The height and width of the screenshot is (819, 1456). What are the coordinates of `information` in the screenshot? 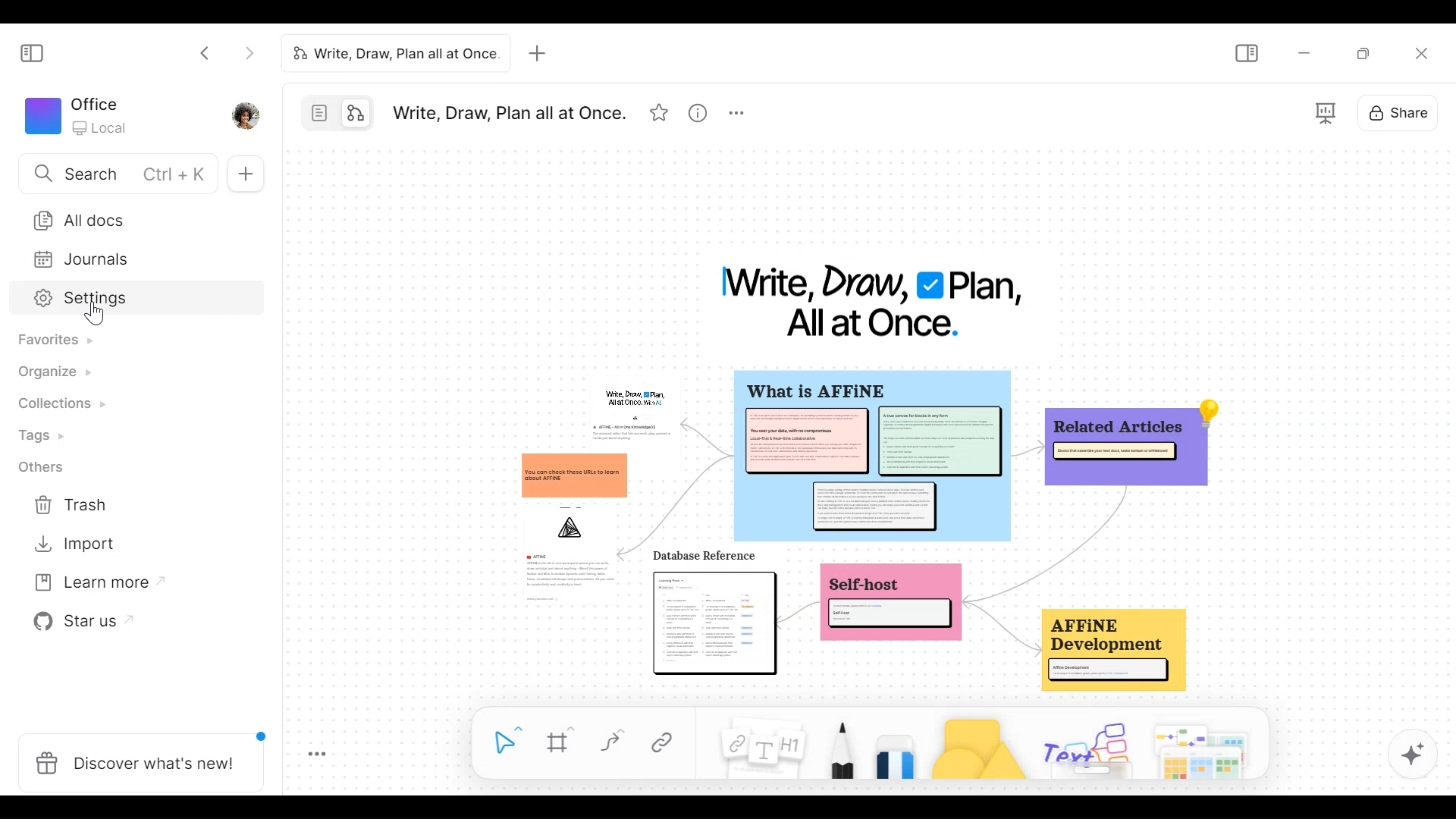 It's located at (875, 532).